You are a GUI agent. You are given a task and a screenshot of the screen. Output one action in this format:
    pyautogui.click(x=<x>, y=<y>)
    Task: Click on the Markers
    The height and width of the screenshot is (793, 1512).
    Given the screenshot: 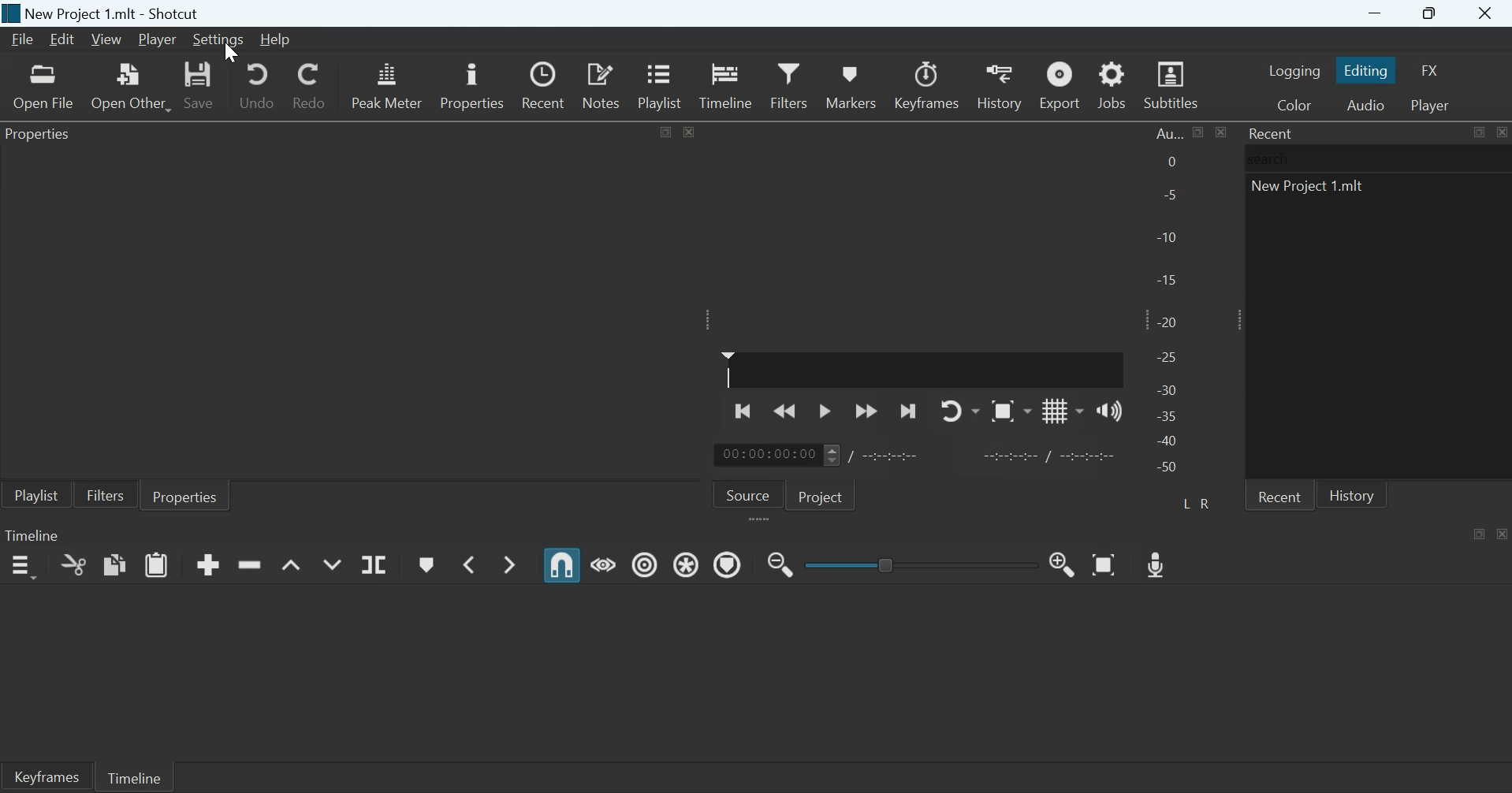 What is the action you would take?
    pyautogui.click(x=850, y=84)
    